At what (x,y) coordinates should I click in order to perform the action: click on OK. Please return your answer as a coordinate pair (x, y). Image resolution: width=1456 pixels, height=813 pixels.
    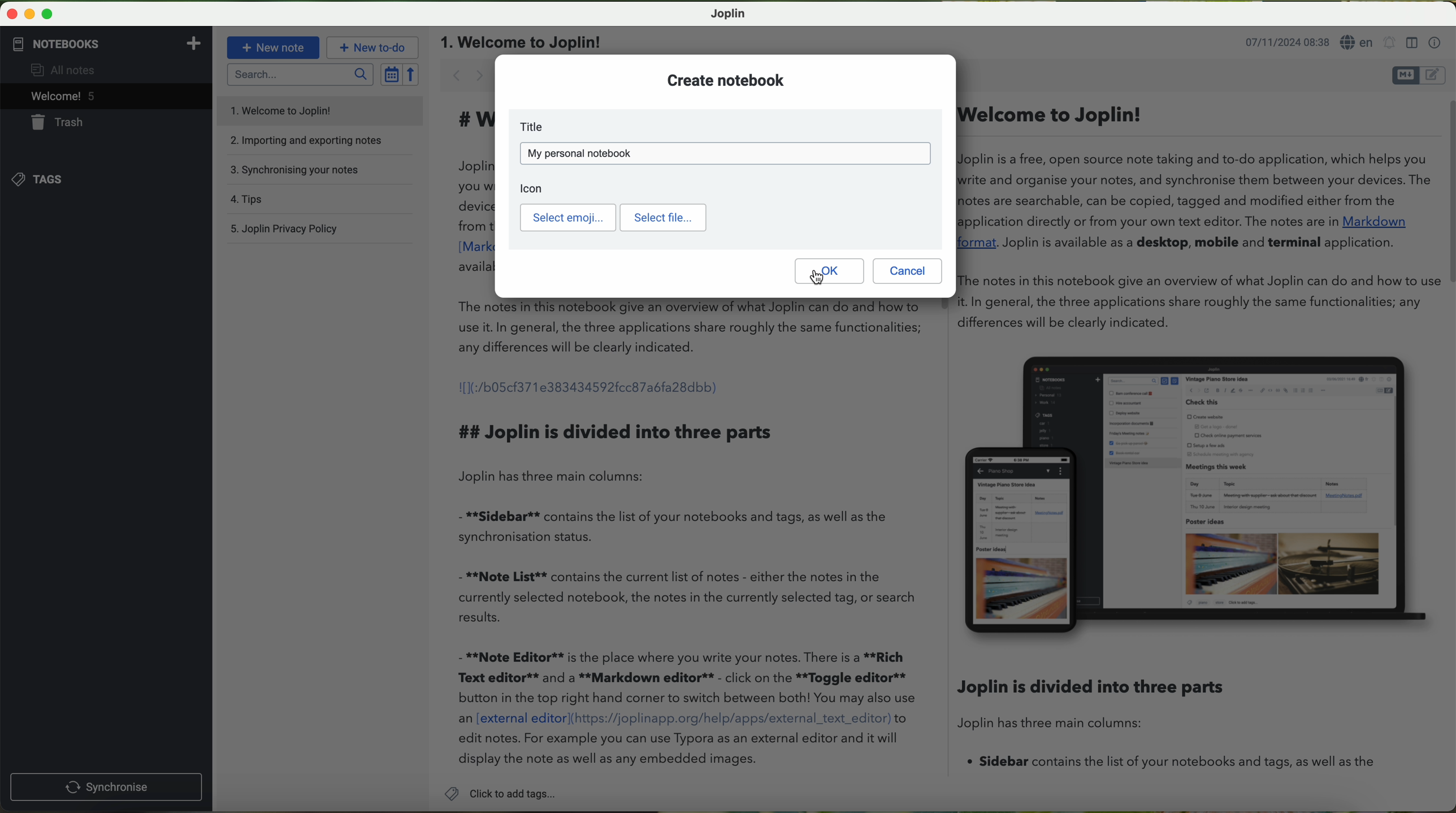
    Looking at the image, I should click on (828, 271).